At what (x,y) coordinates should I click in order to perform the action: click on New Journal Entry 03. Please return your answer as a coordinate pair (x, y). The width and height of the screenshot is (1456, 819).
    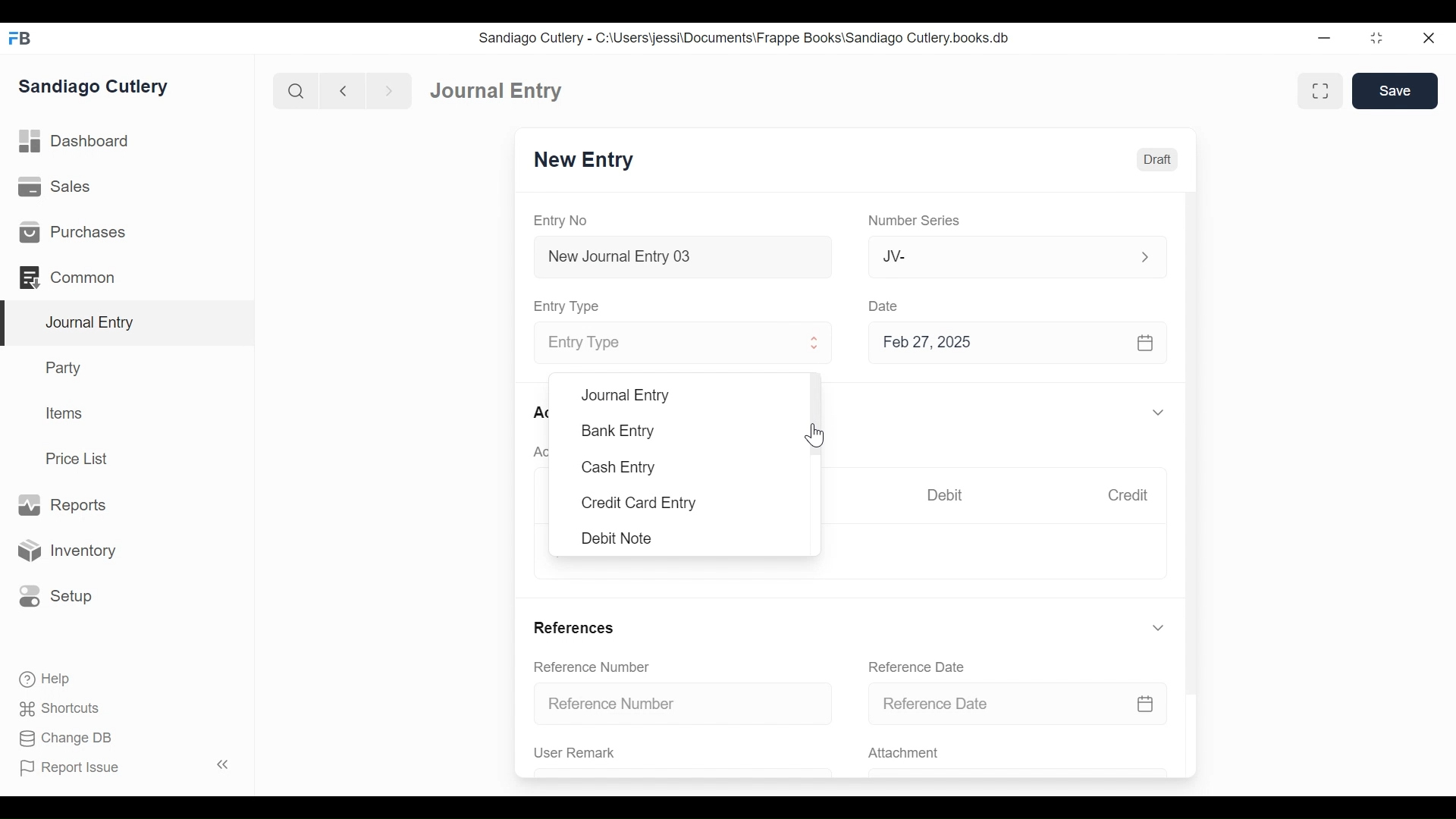
    Looking at the image, I should click on (679, 257).